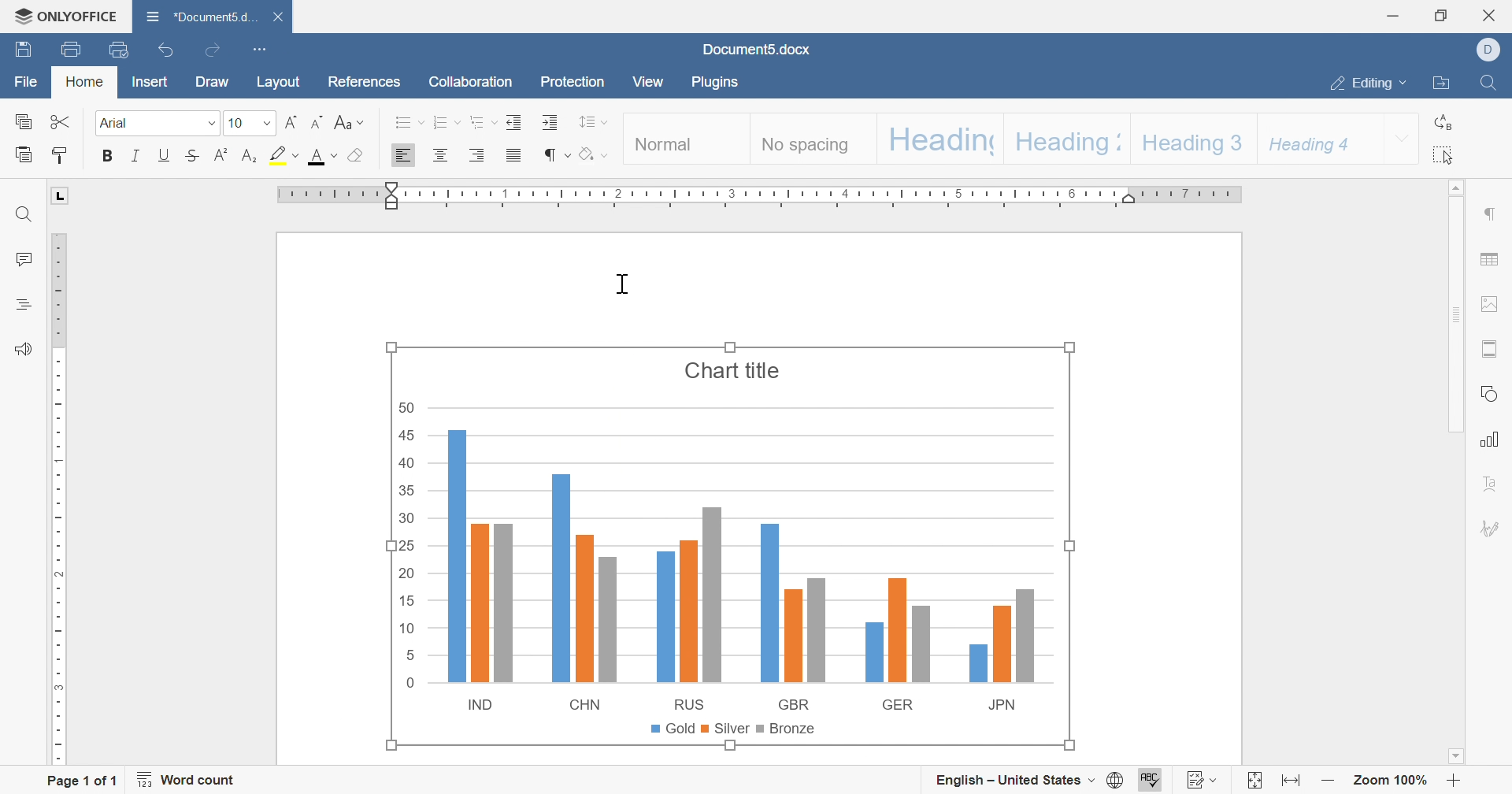 This screenshot has width=1512, height=794. What do you see at coordinates (280, 17) in the screenshot?
I see `close` at bounding box center [280, 17].